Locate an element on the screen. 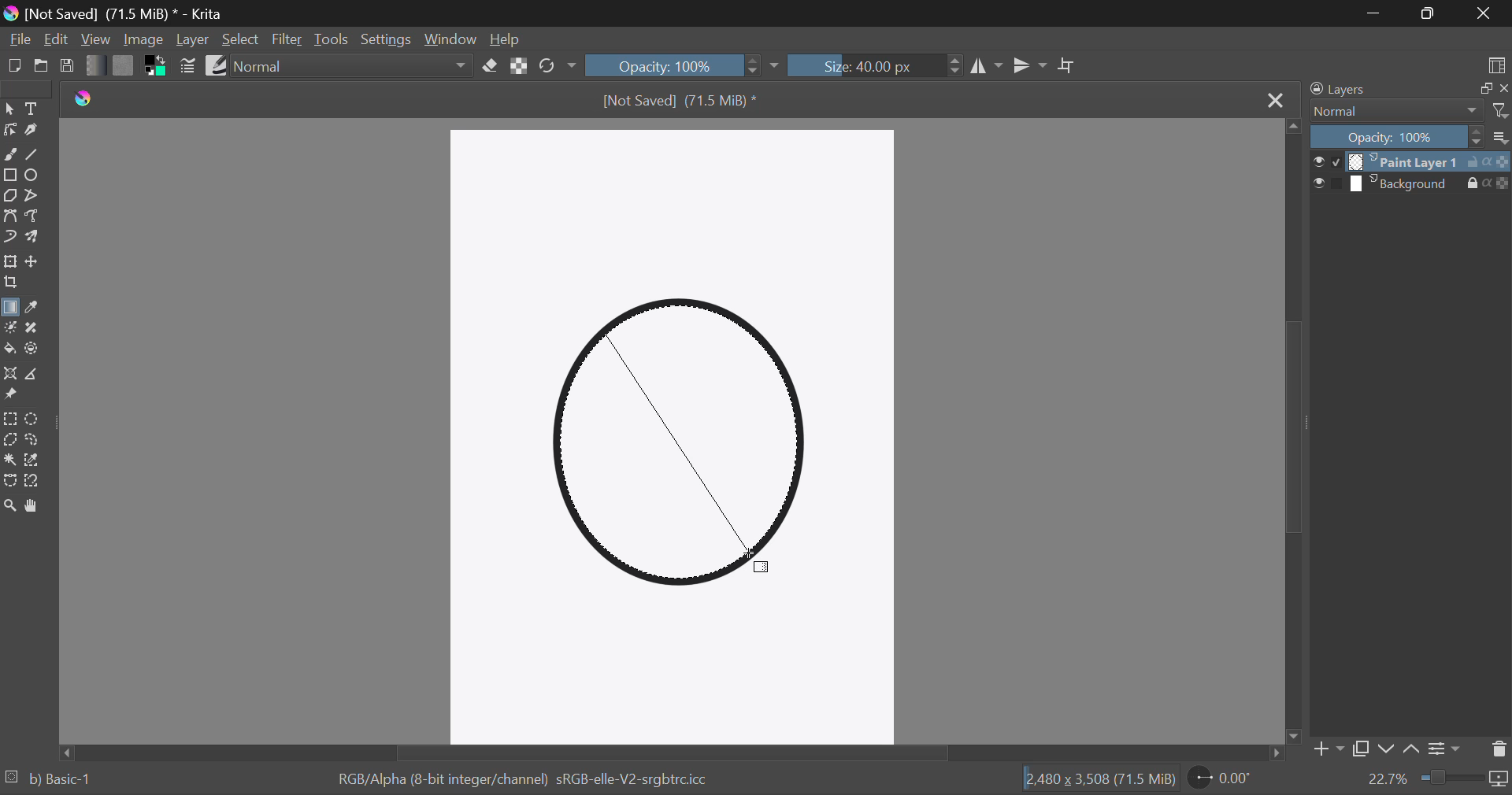 The height and width of the screenshot is (795, 1512). Select is located at coordinates (10, 109).